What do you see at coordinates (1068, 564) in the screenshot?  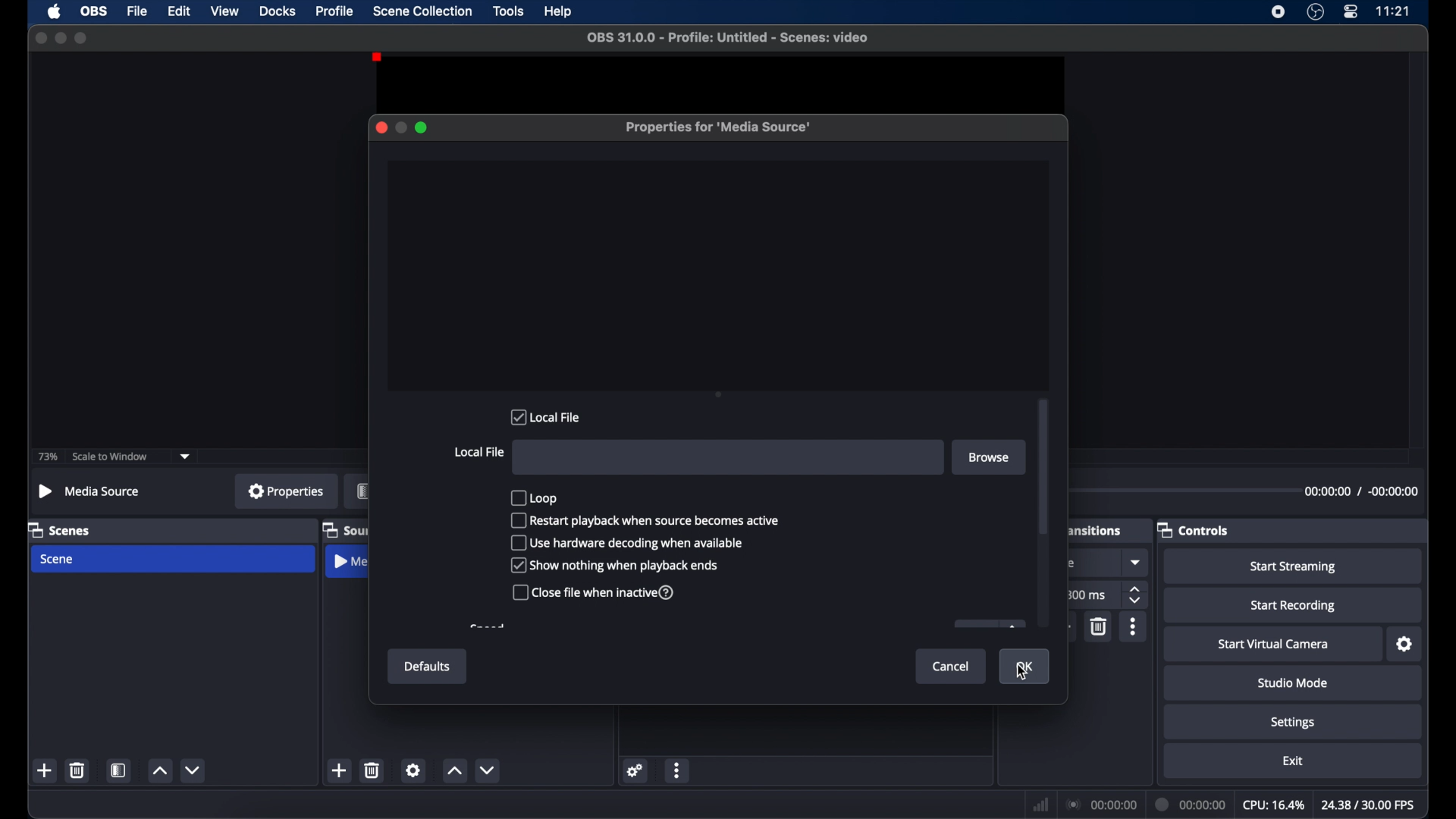 I see `obscure text` at bounding box center [1068, 564].